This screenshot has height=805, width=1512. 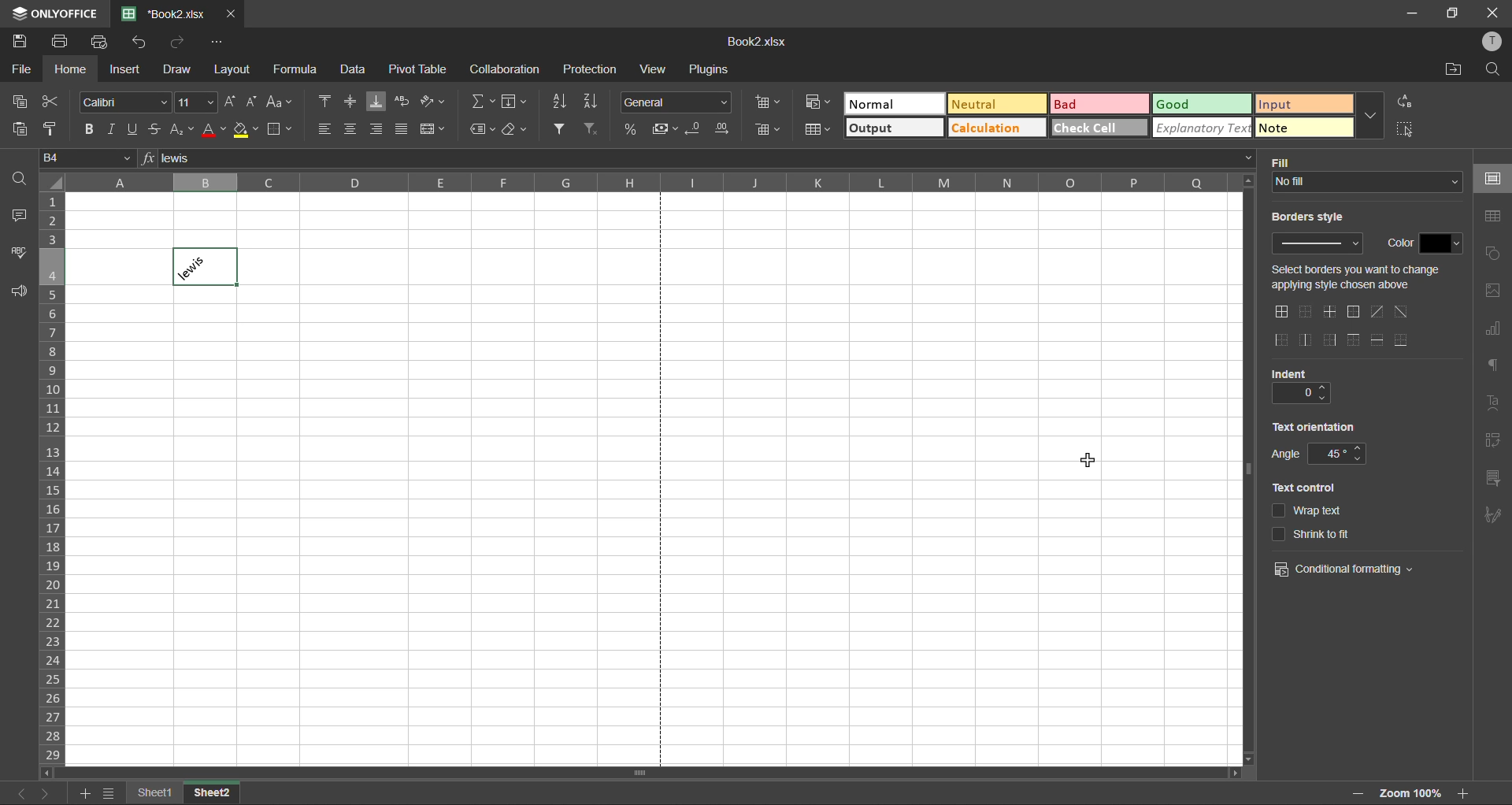 I want to click on clear filter, so click(x=591, y=129).